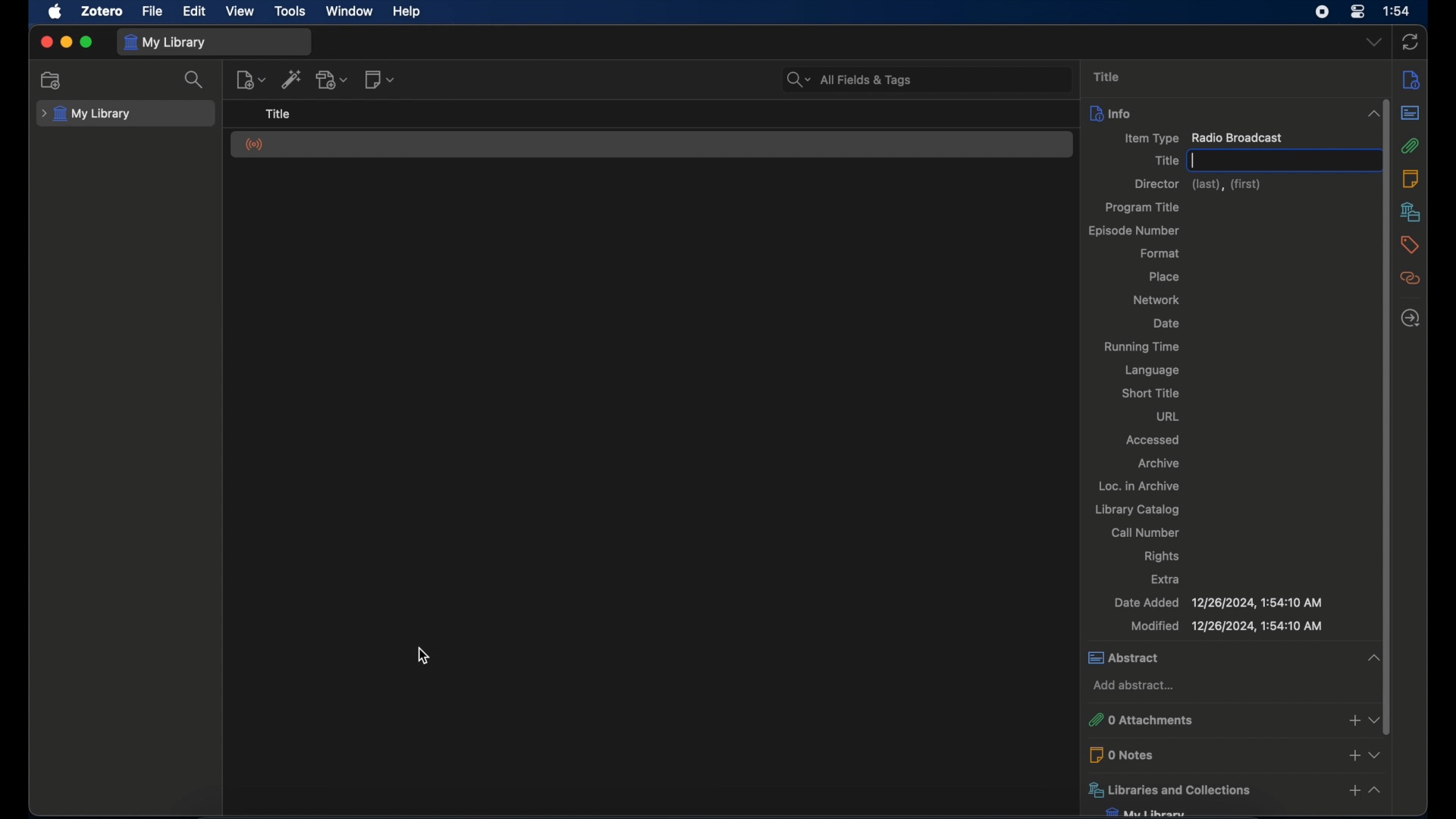 This screenshot has height=819, width=1456. What do you see at coordinates (1195, 161) in the screenshot?
I see `text cursor` at bounding box center [1195, 161].